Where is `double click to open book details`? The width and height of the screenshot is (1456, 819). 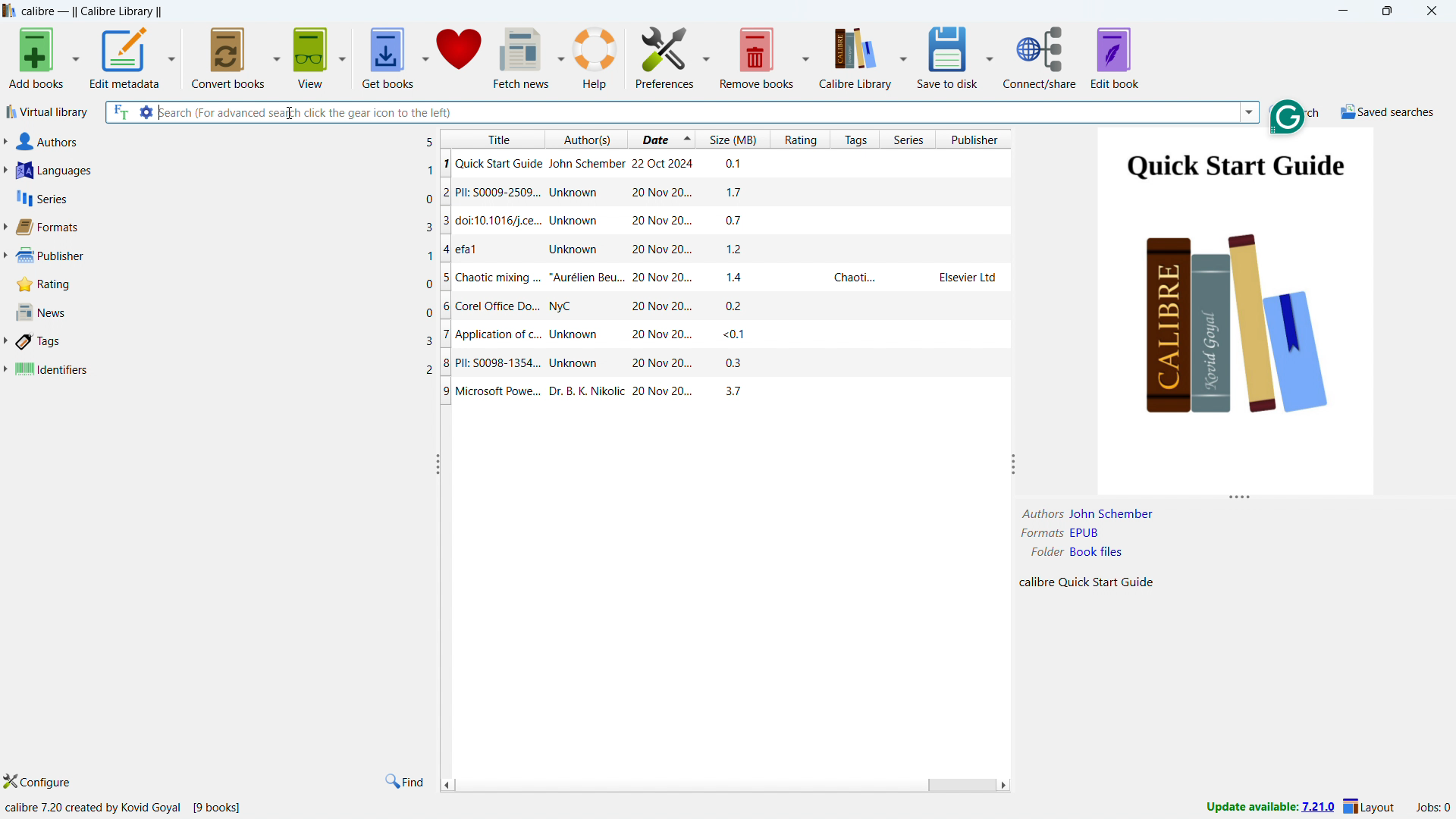 double click to open book details is located at coordinates (1239, 310).